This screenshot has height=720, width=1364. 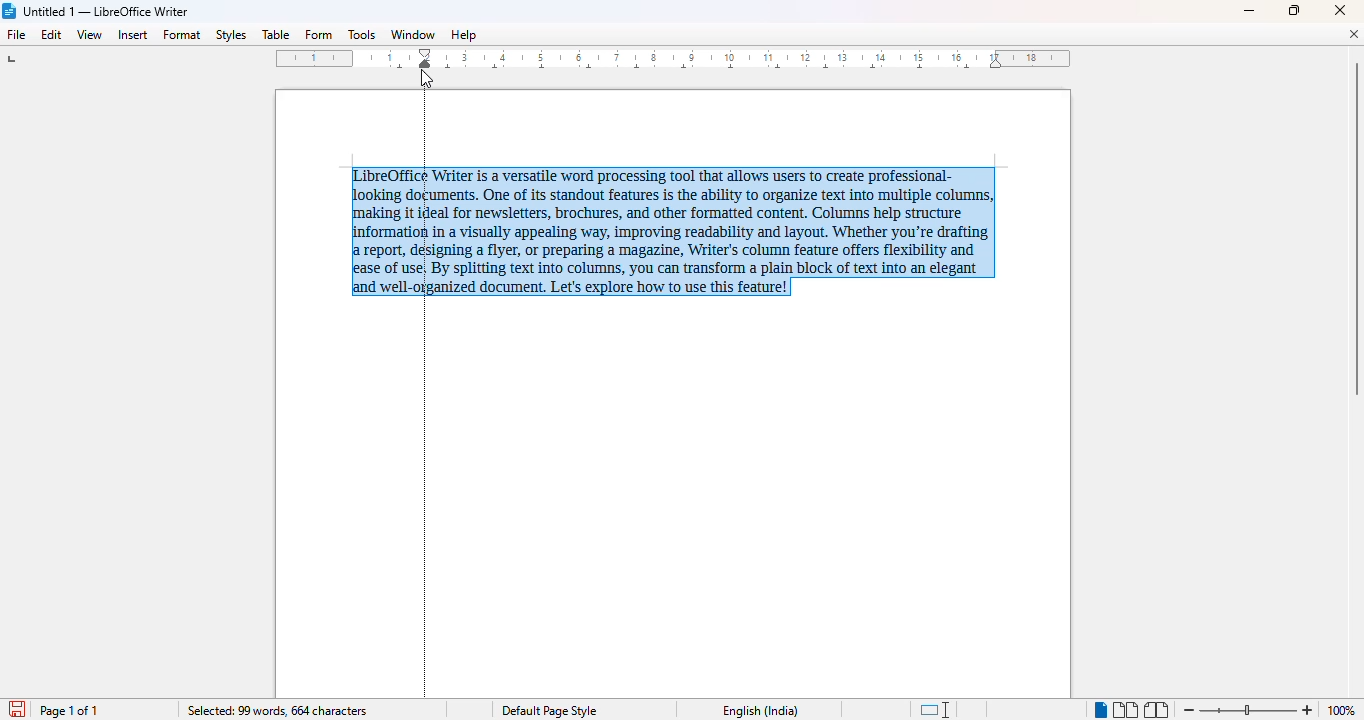 What do you see at coordinates (275, 34) in the screenshot?
I see `table` at bounding box center [275, 34].